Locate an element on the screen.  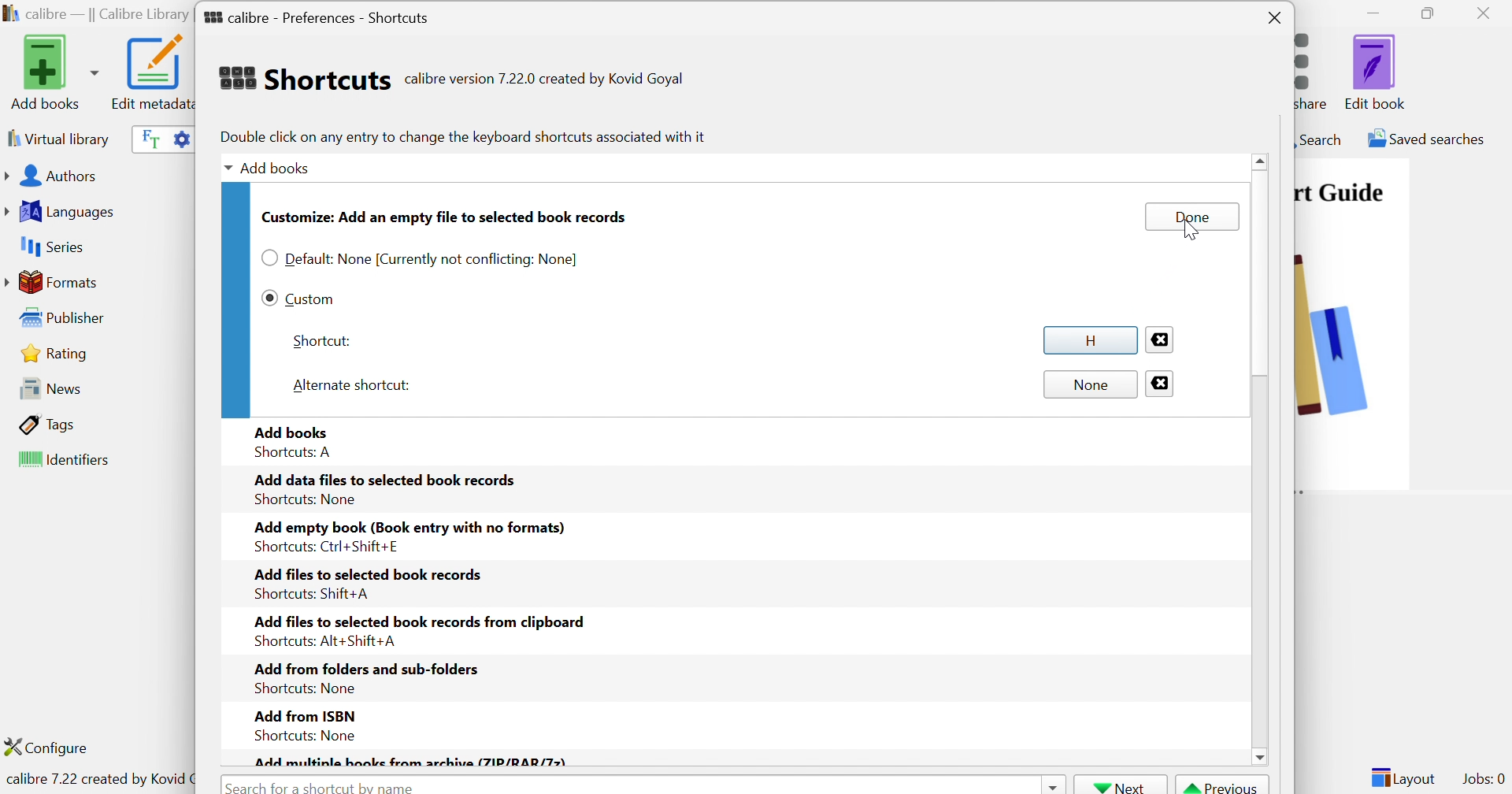
calibre 7.22 created by Kovid is located at coordinates (97, 781).